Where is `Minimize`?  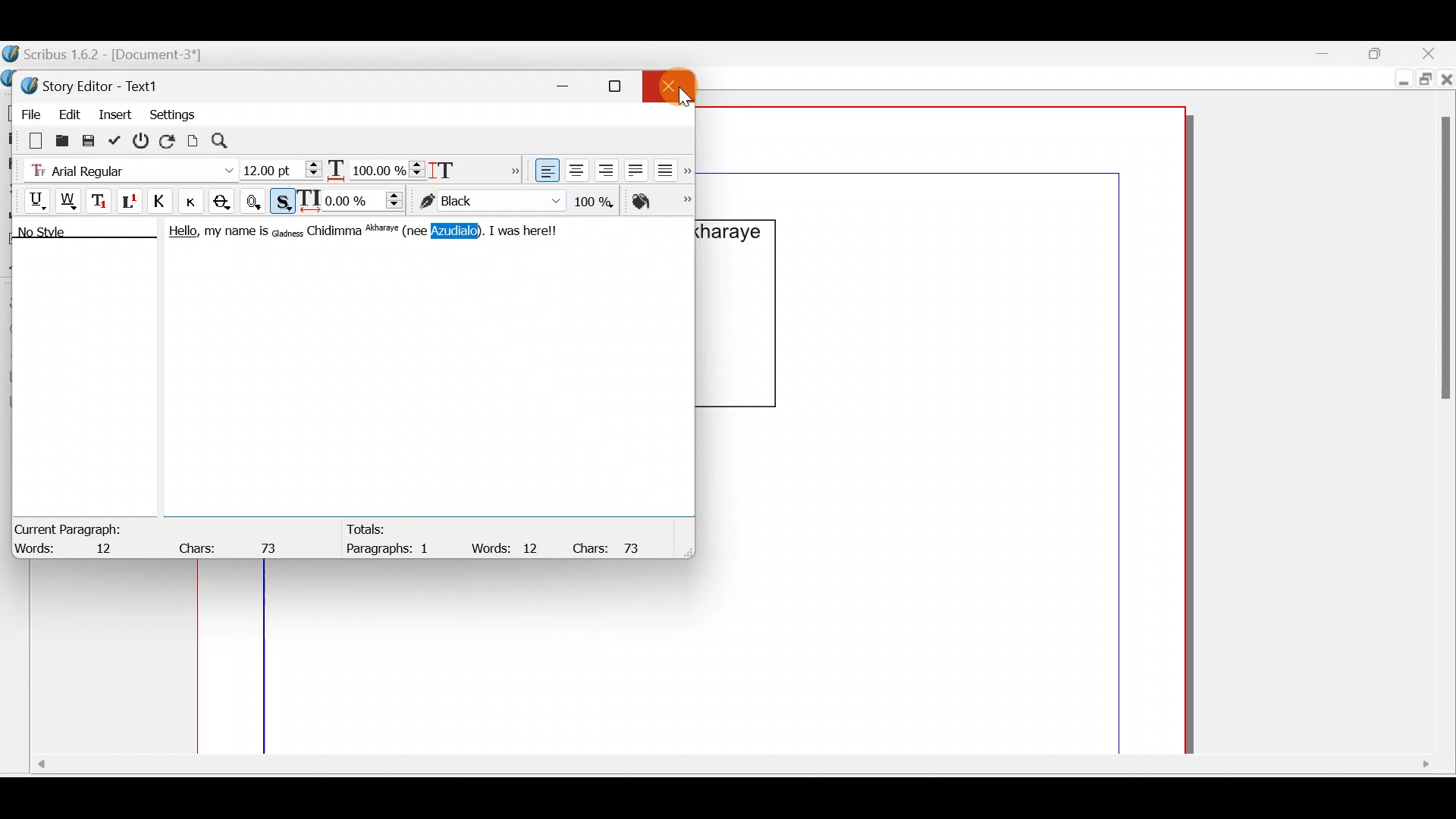 Minimize is located at coordinates (1400, 81).